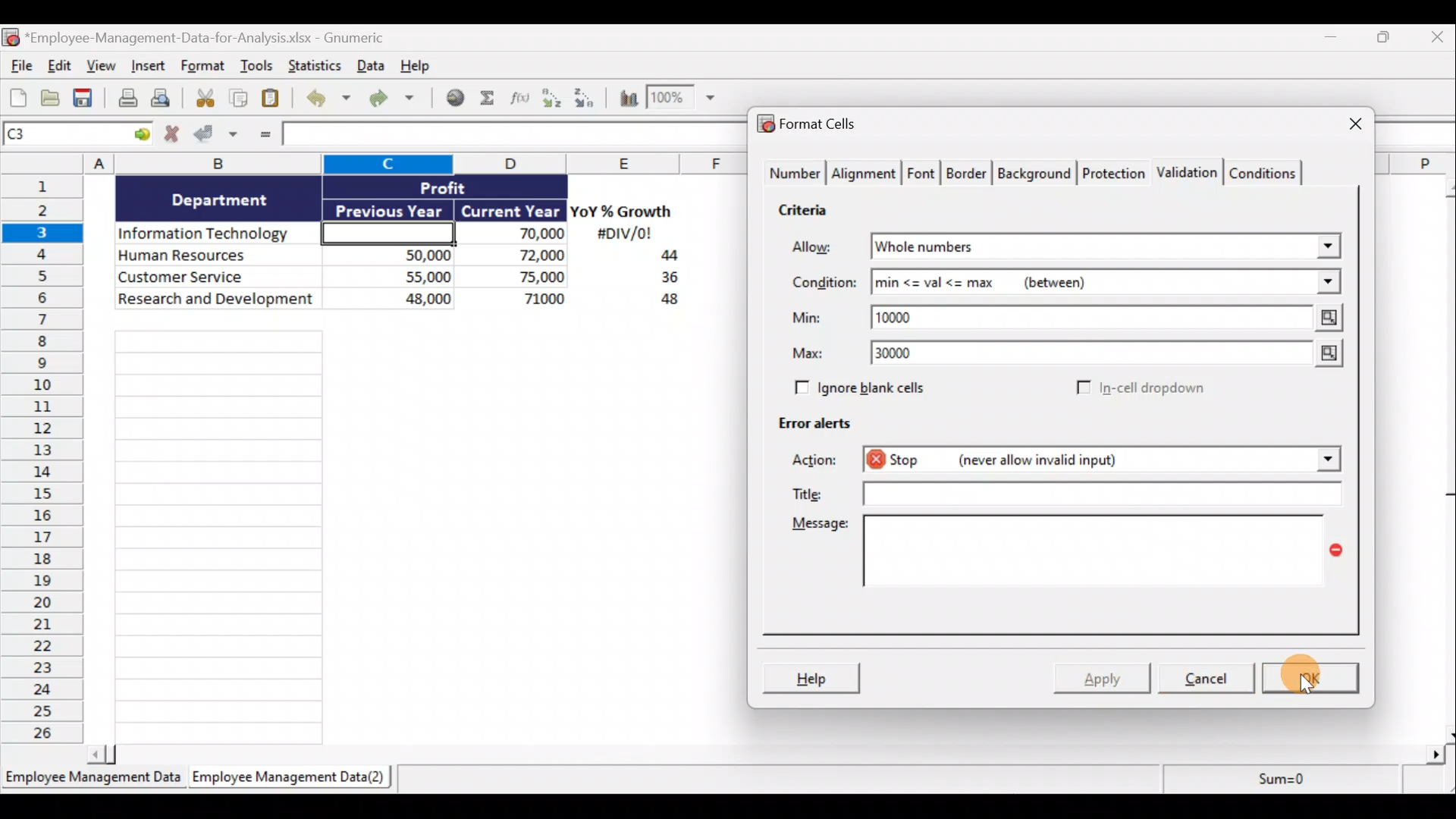  Describe the element at coordinates (1212, 680) in the screenshot. I see `Cancel` at that location.